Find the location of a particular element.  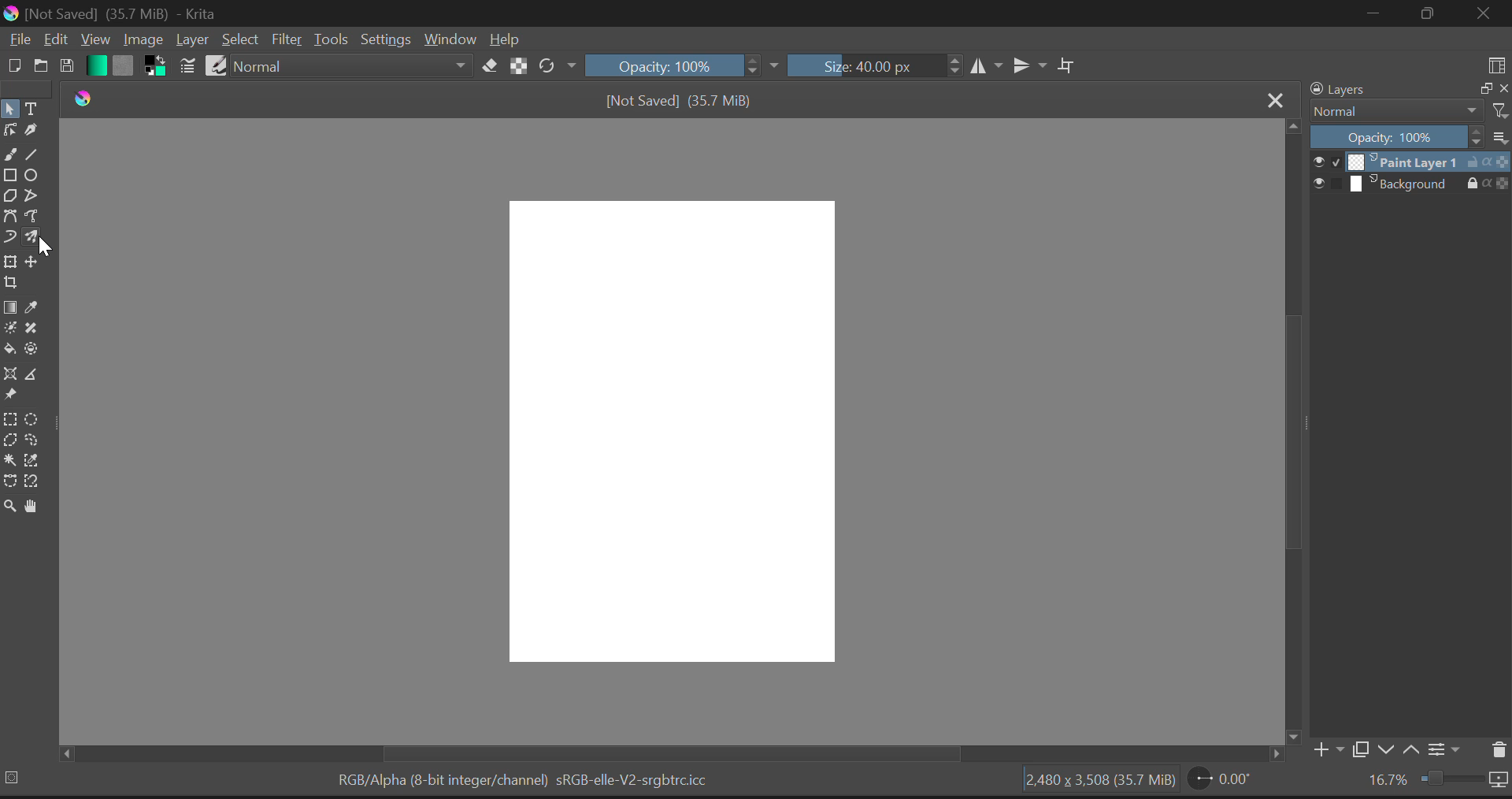

Rotate is located at coordinates (557, 65).